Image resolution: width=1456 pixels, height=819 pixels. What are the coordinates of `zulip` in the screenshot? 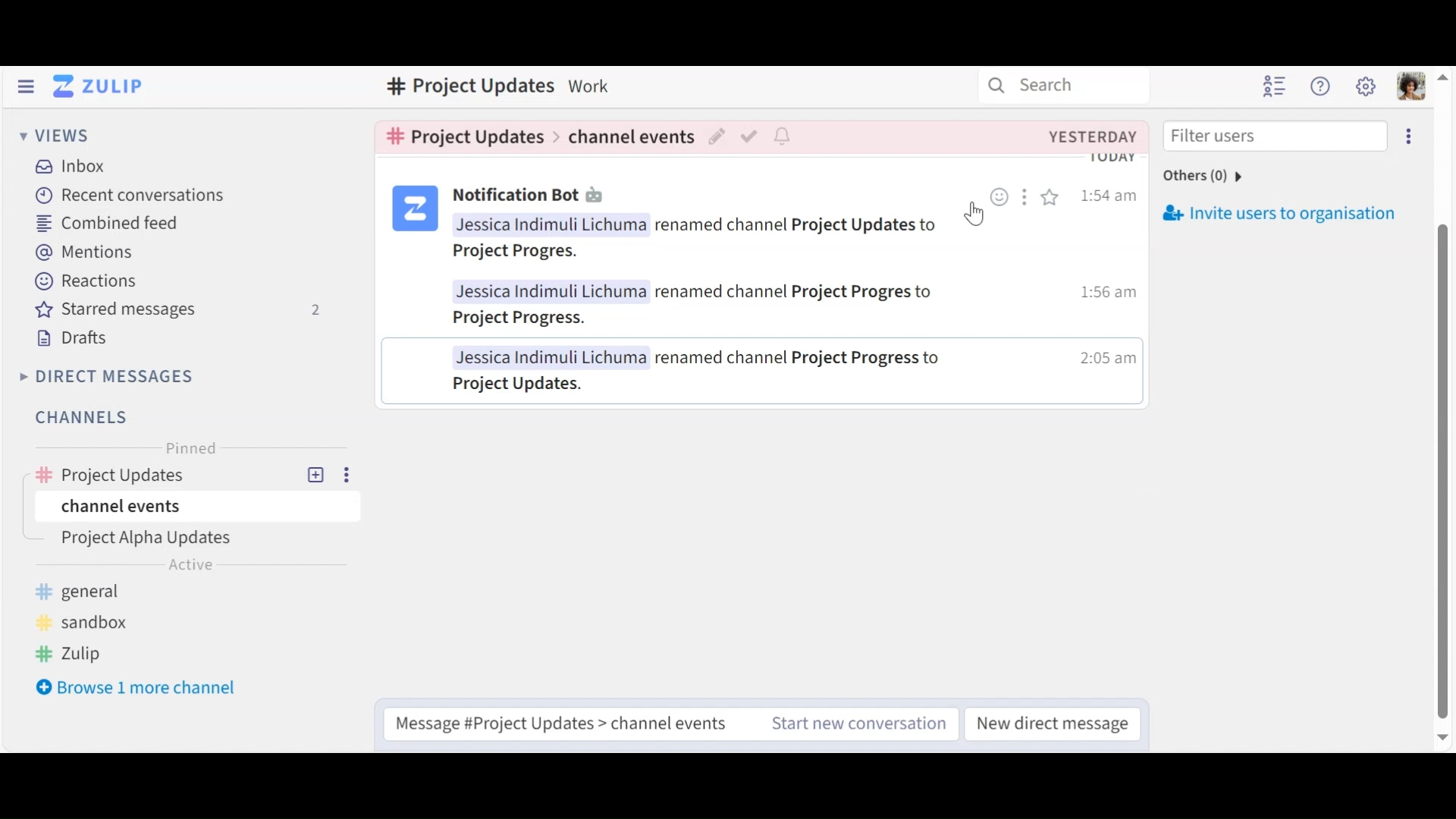 It's located at (72, 651).